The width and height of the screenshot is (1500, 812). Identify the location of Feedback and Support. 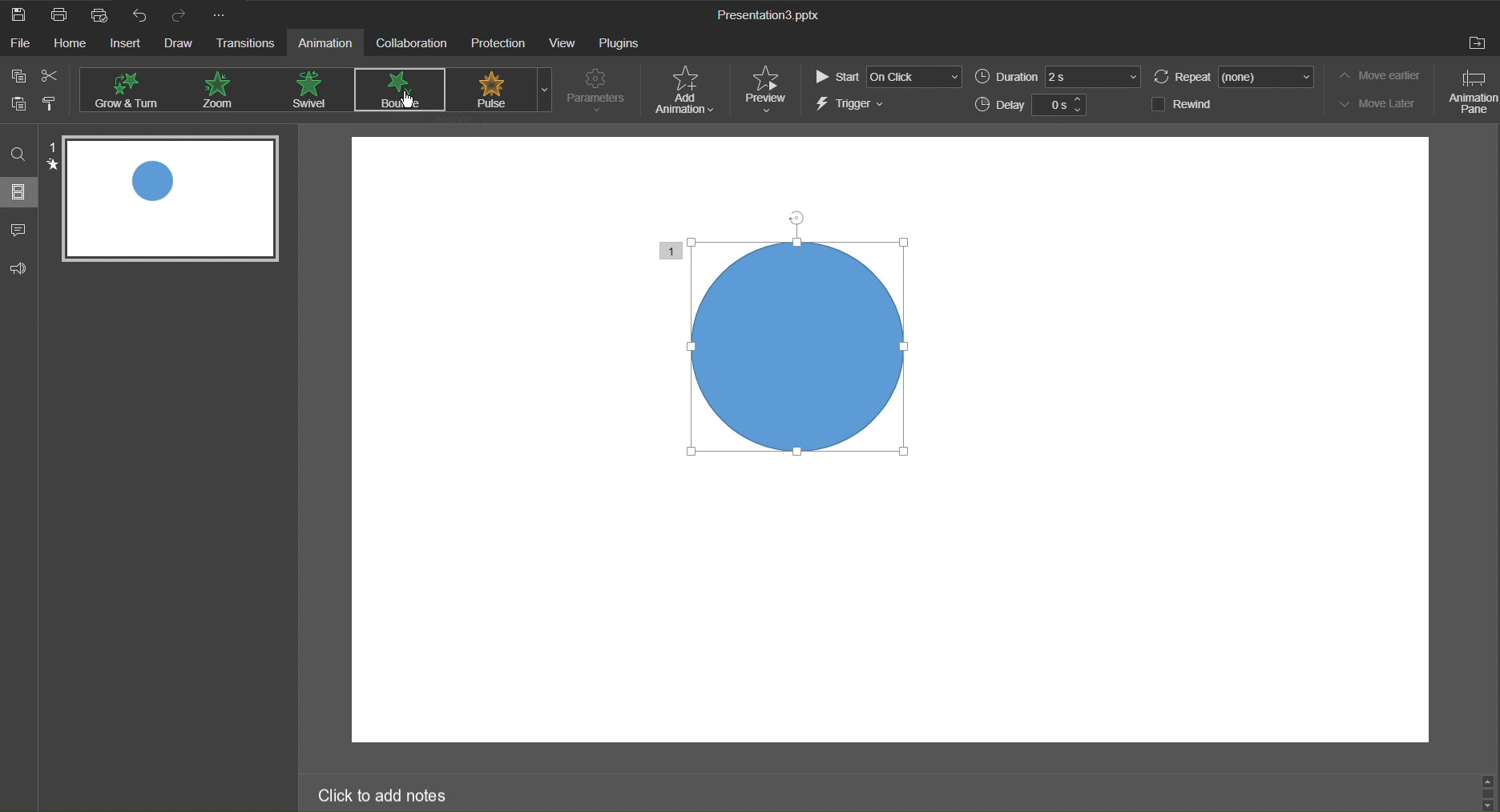
(18, 265).